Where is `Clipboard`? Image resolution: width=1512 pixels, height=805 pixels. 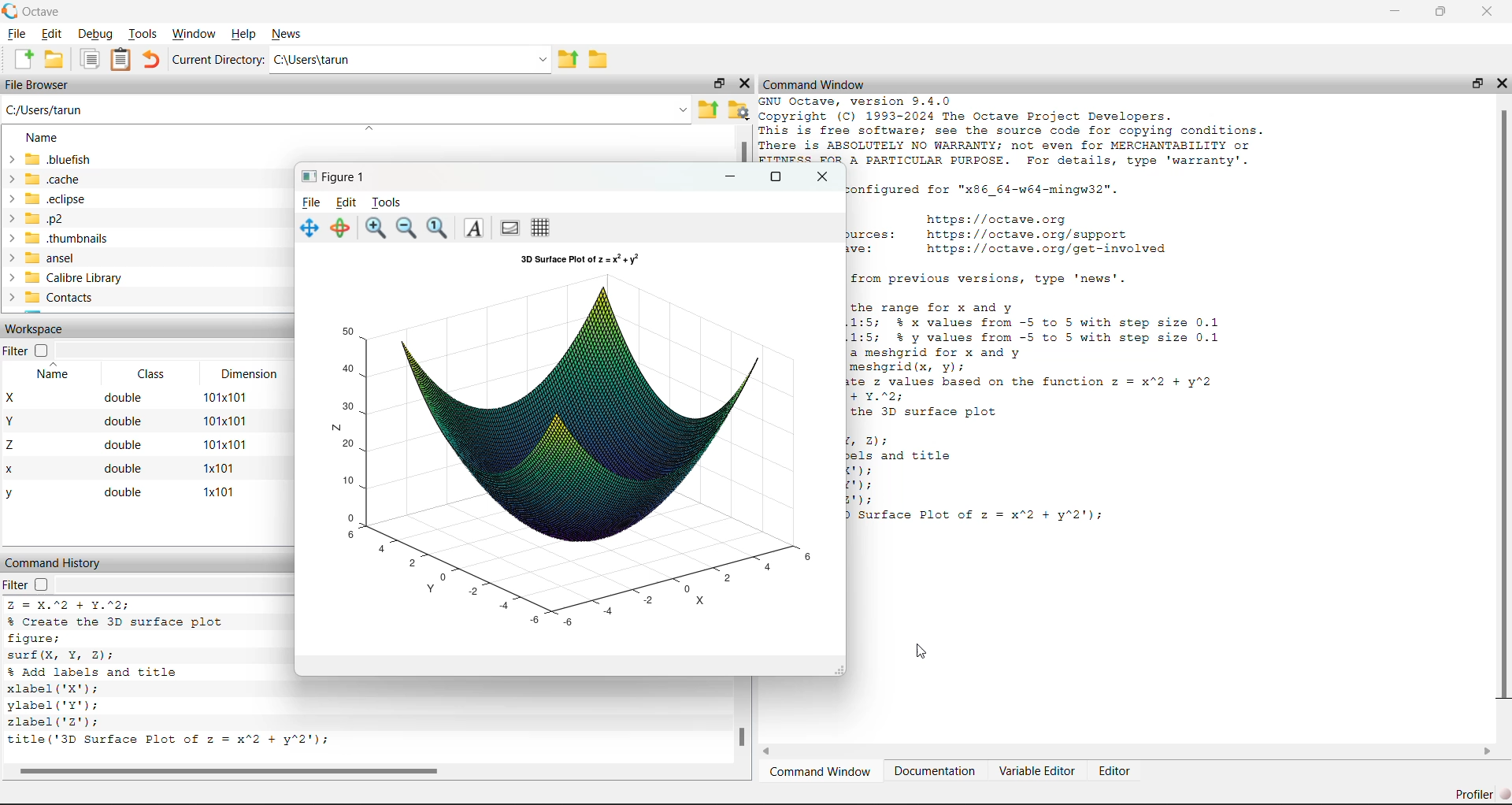
Clipboard is located at coordinates (120, 58).